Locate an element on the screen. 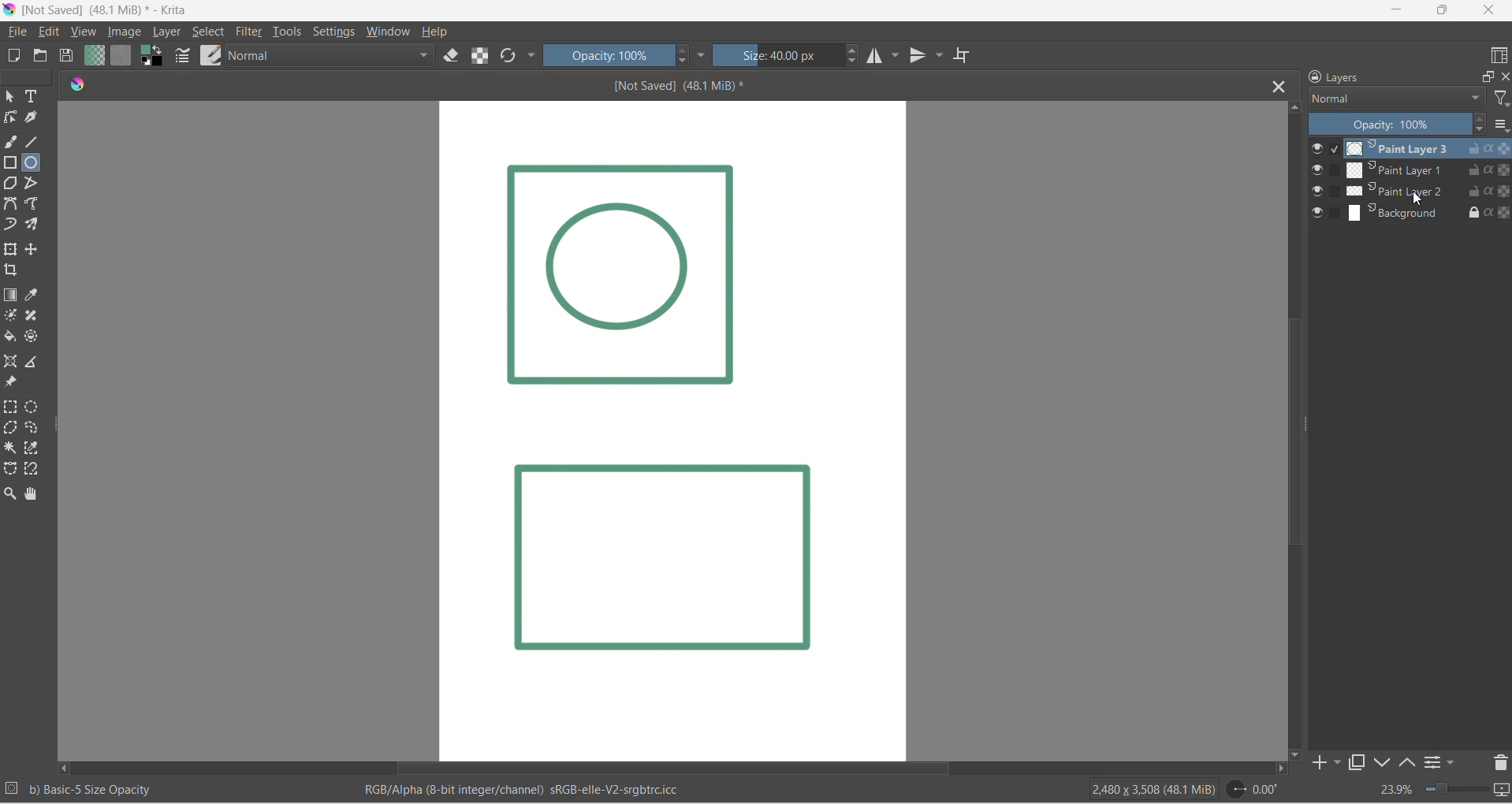 Image resolution: width=1512 pixels, height=804 pixels. background is located at coordinates (1393, 211).